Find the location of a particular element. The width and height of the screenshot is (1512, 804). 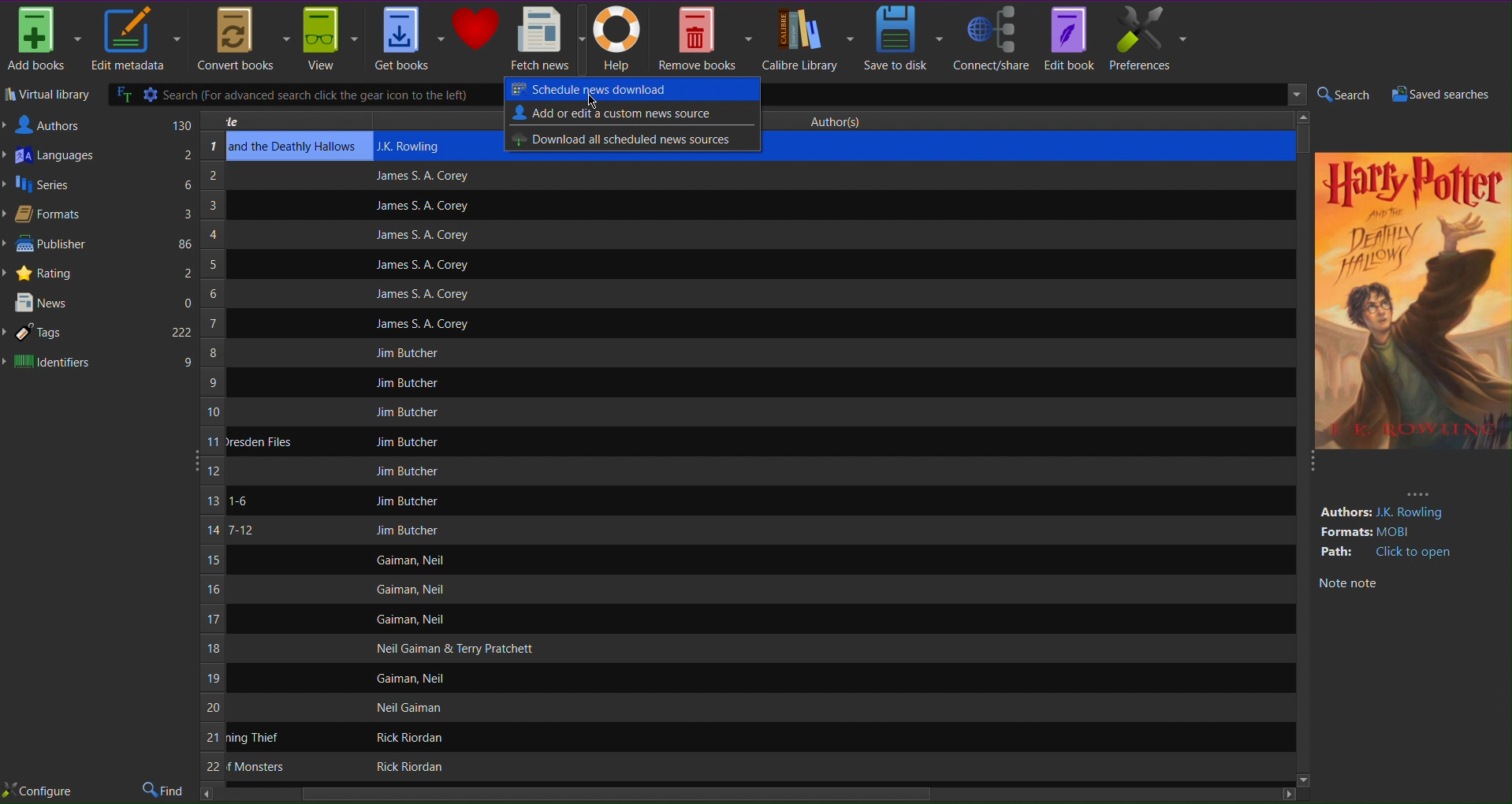

James S. A. Corey is located at coordinates (420, 236).